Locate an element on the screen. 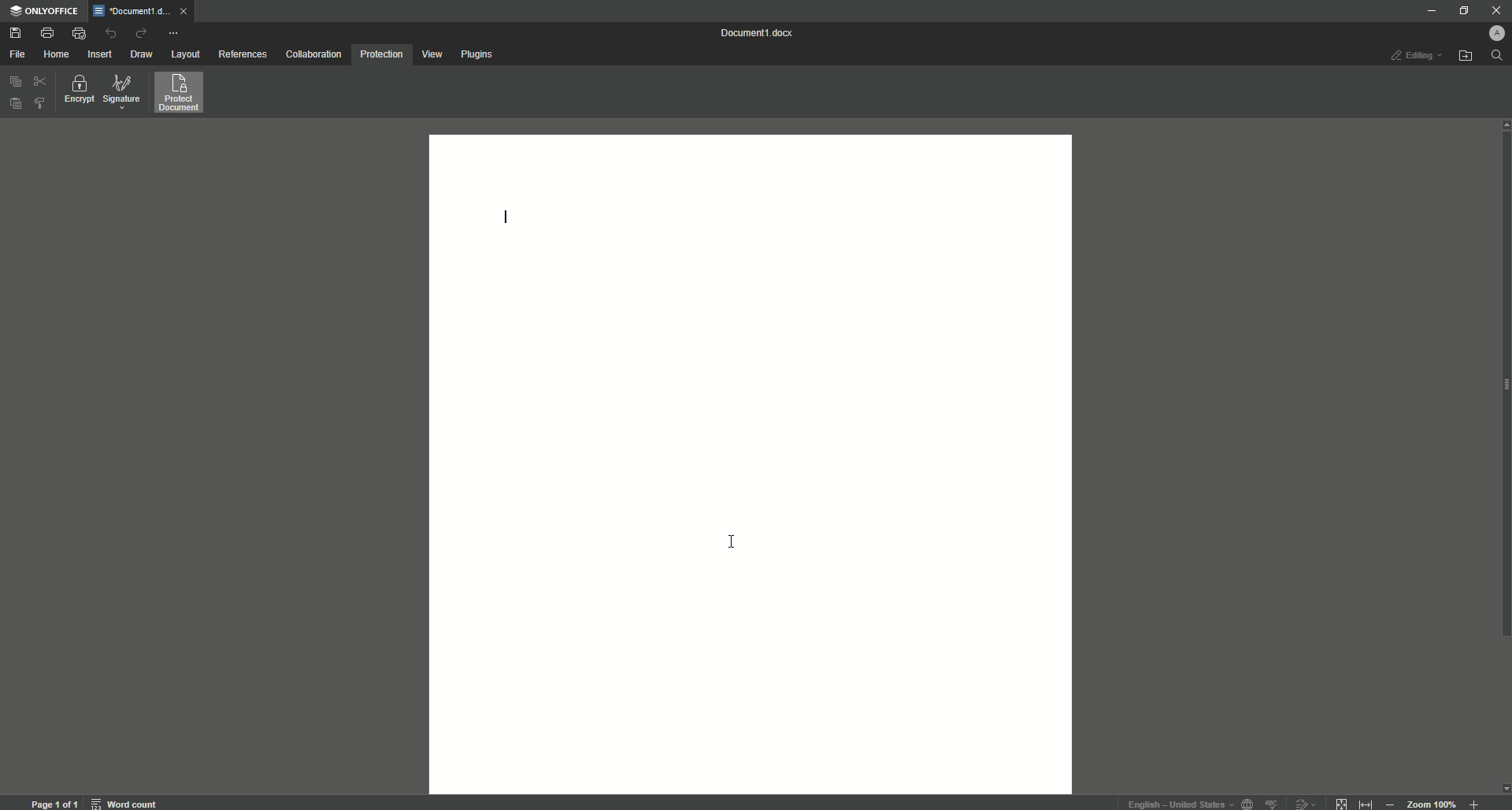  ONLYOFFICE is located at coordinates (46, 13).